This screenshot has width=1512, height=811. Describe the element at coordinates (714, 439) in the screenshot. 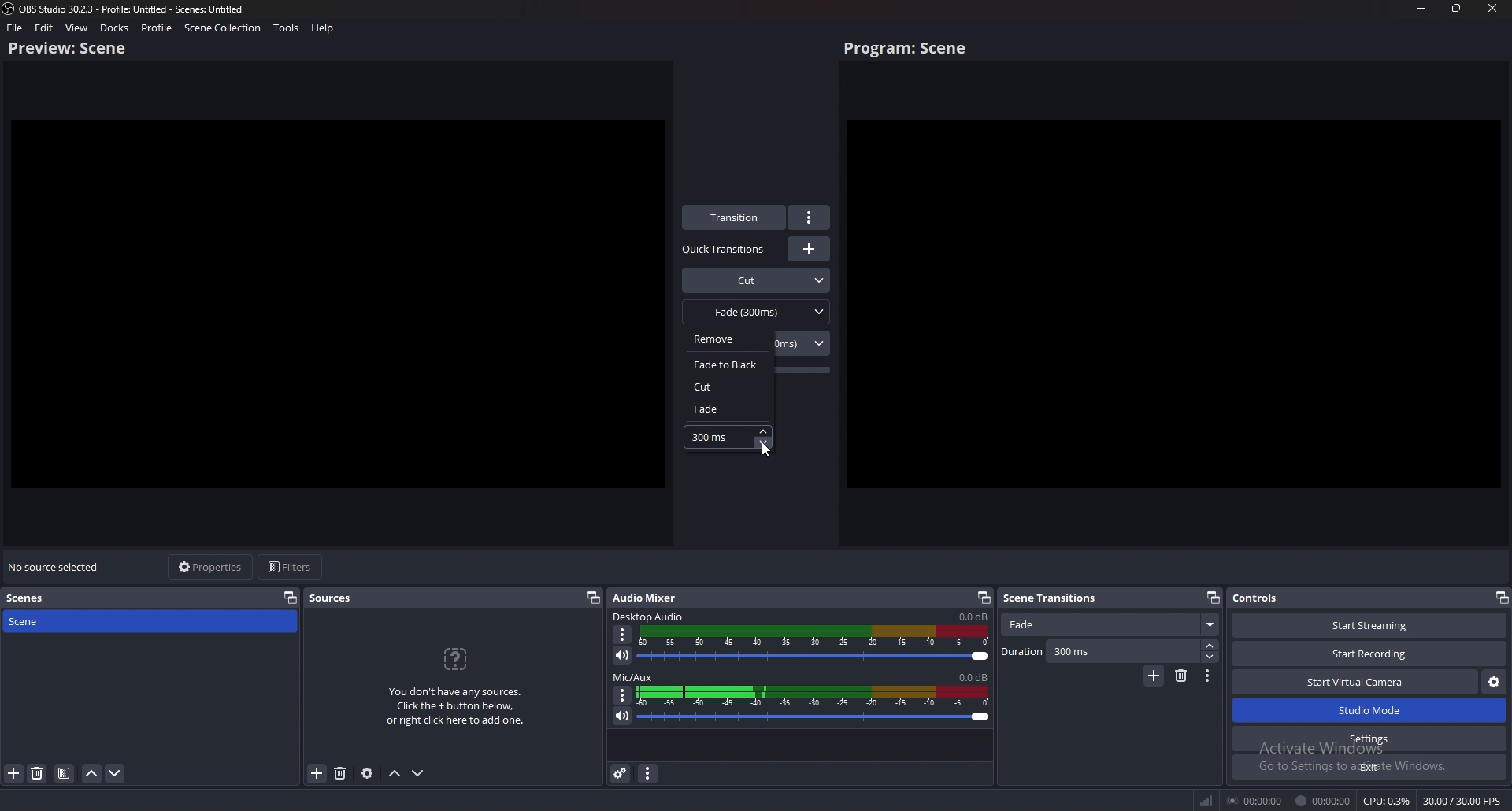

I see `fade timer` at that location.